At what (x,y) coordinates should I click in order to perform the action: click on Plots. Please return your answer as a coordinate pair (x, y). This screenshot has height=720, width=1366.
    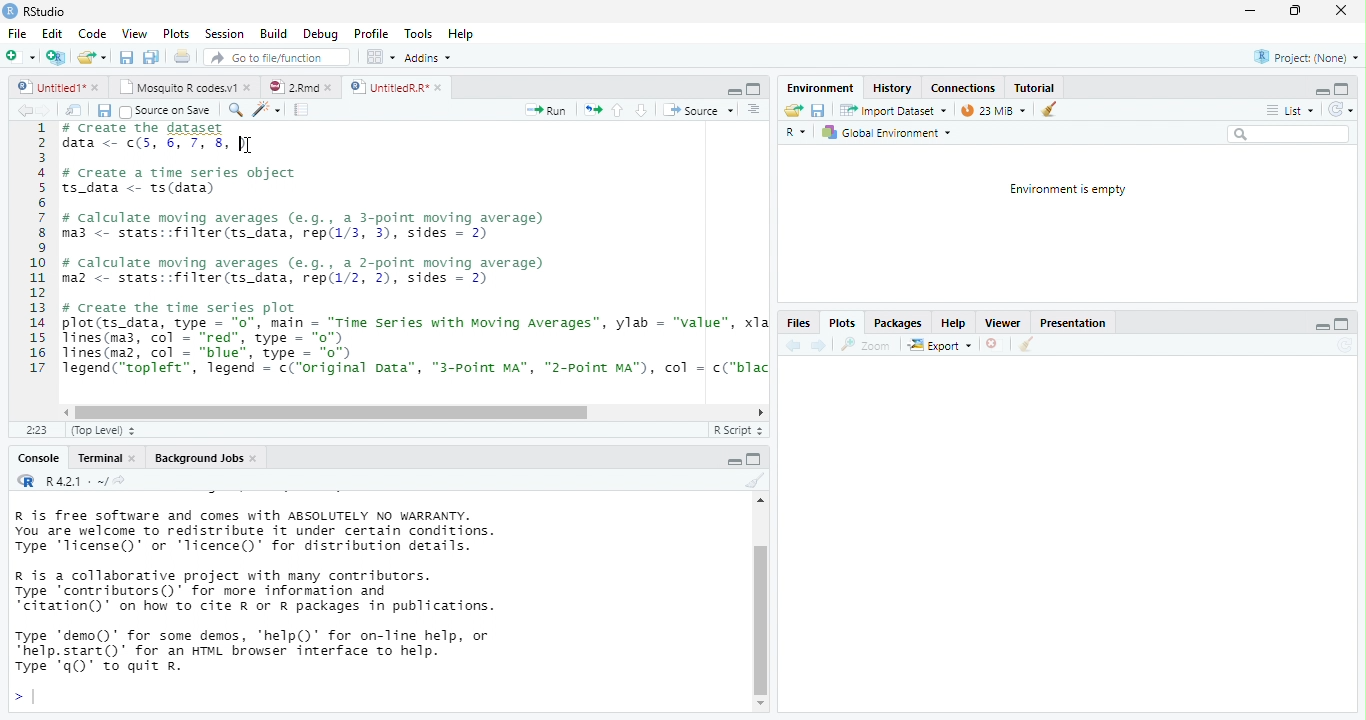
    Looking at the image, I should click on (840, 325).